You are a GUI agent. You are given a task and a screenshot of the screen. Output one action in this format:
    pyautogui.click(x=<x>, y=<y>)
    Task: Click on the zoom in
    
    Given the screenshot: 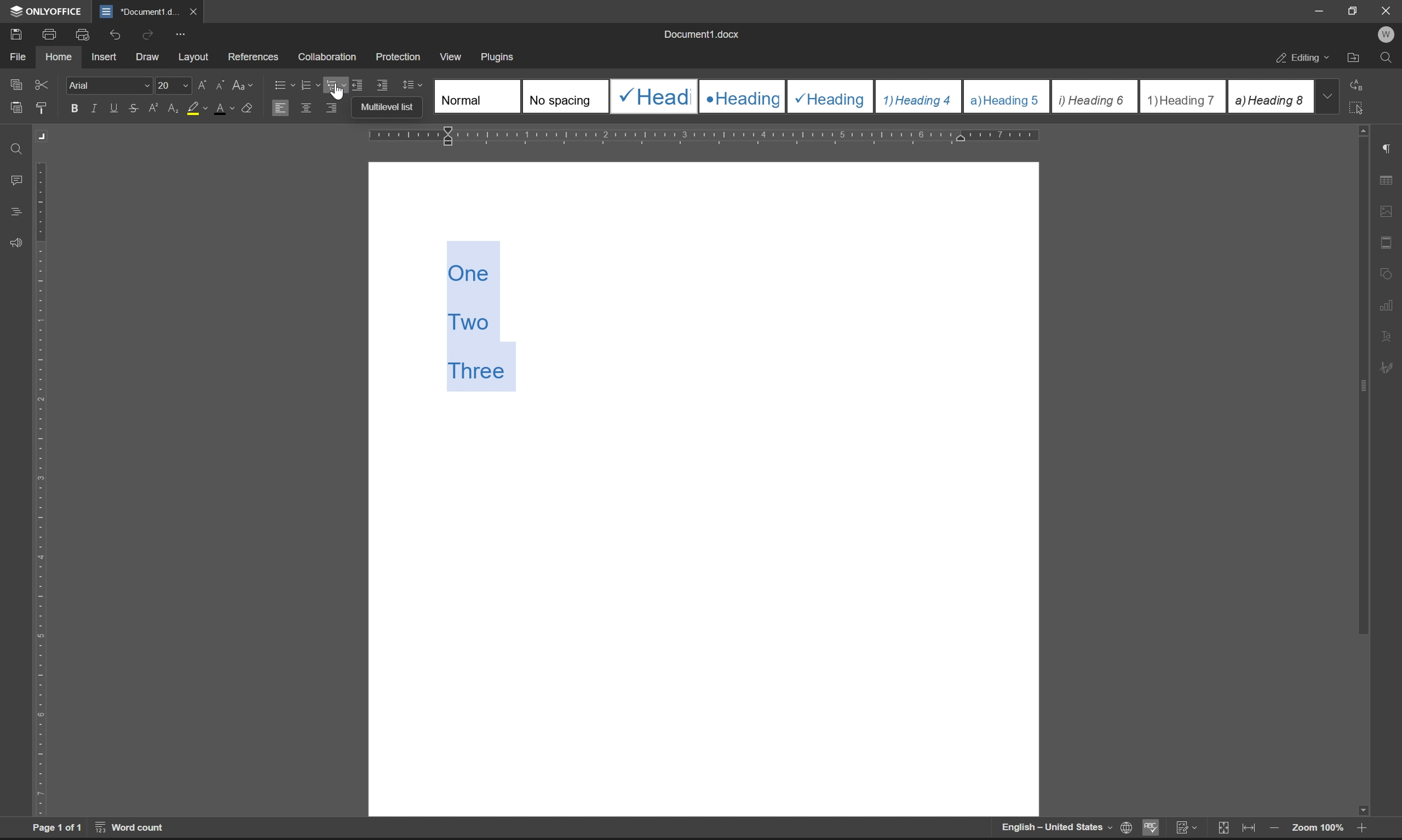 What is the action you would take?
    pyautogui.click(x=1359, y=830)
    